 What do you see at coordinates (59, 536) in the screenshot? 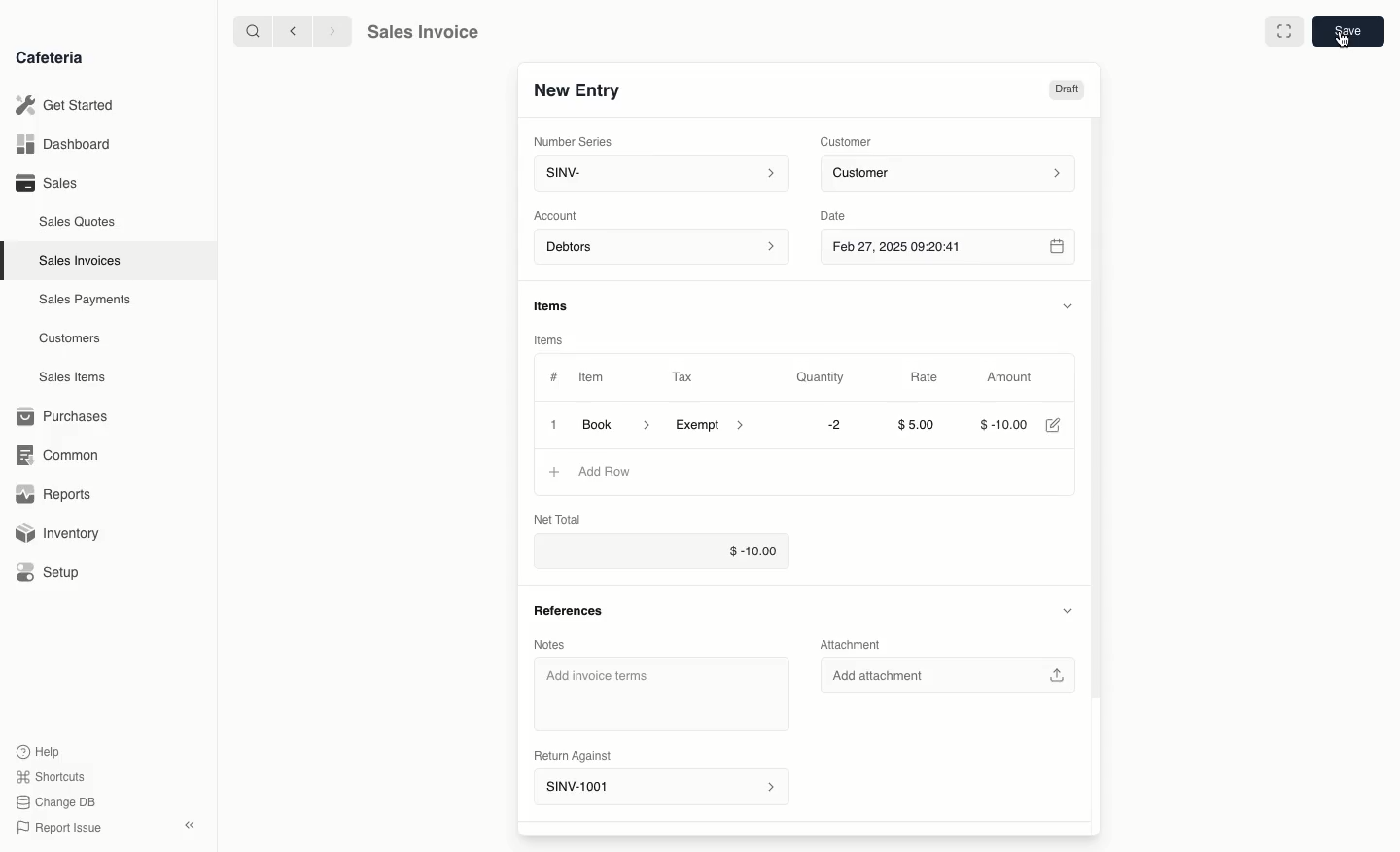
I see `Inventory` at bounding box center [59, 536].